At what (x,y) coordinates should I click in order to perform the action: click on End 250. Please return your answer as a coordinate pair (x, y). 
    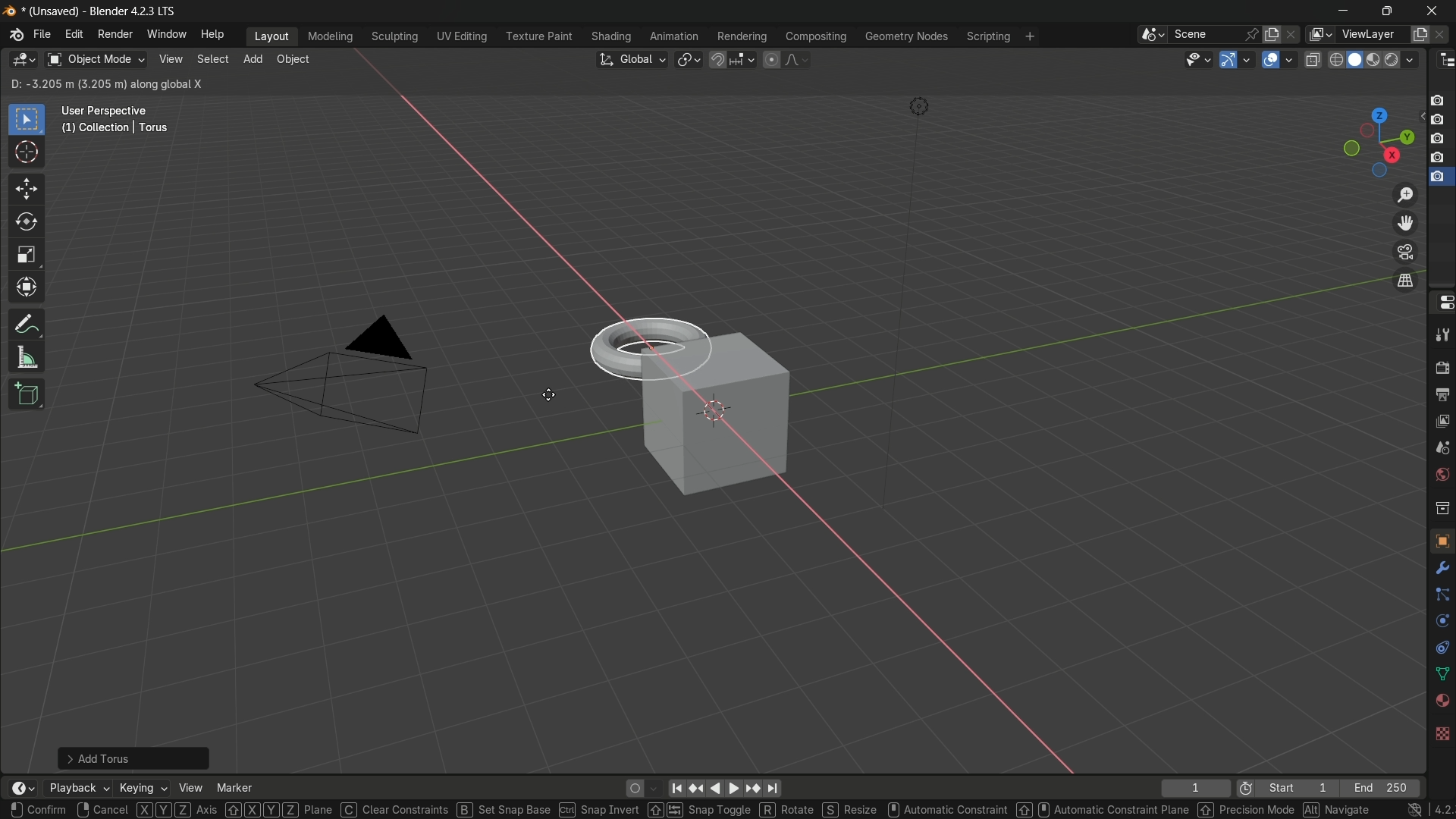
    Looking at the image, I should click on (1379, 788).